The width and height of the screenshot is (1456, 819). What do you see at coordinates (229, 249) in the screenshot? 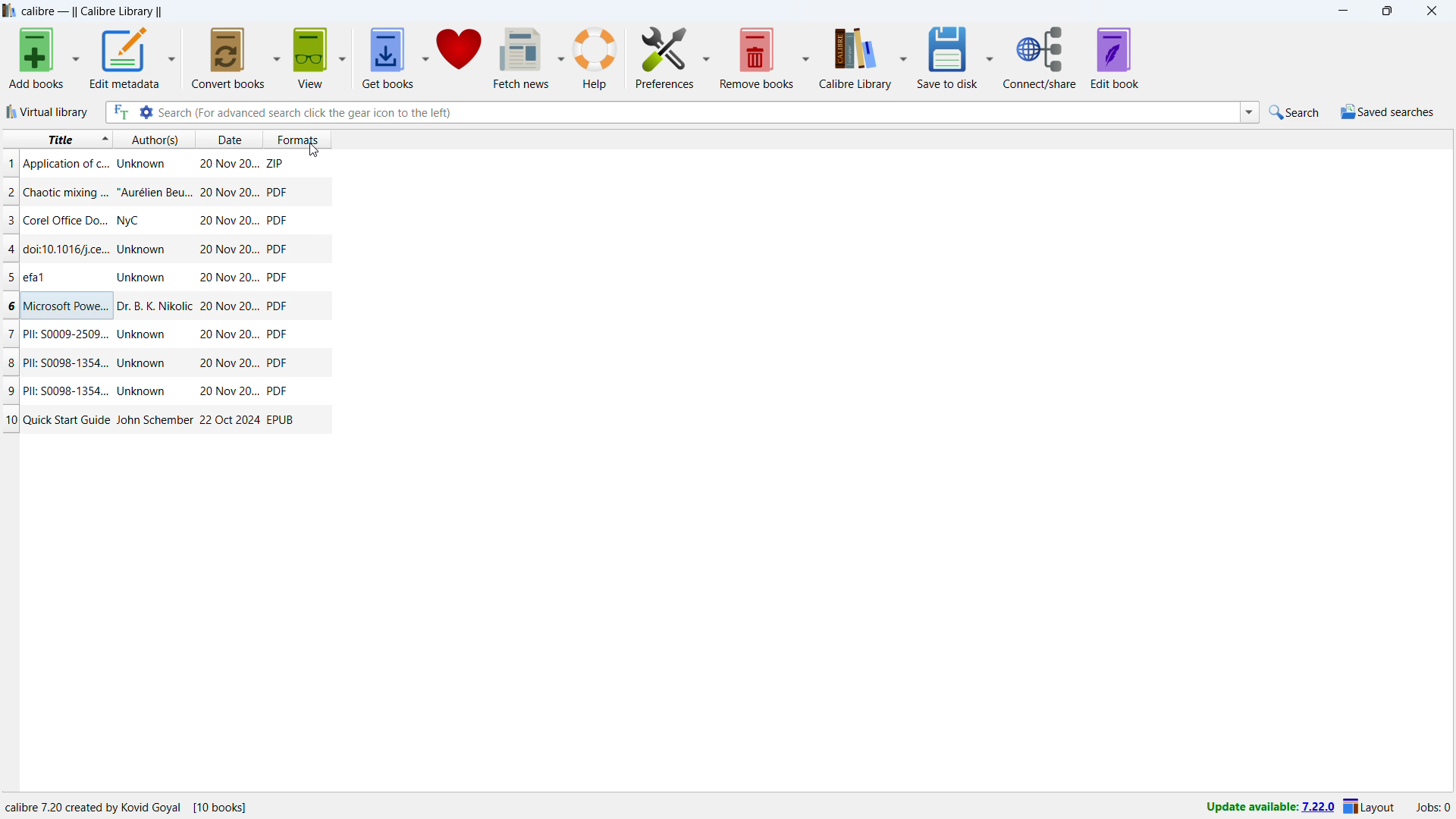
I see `date` at bounding box center [229, 249].